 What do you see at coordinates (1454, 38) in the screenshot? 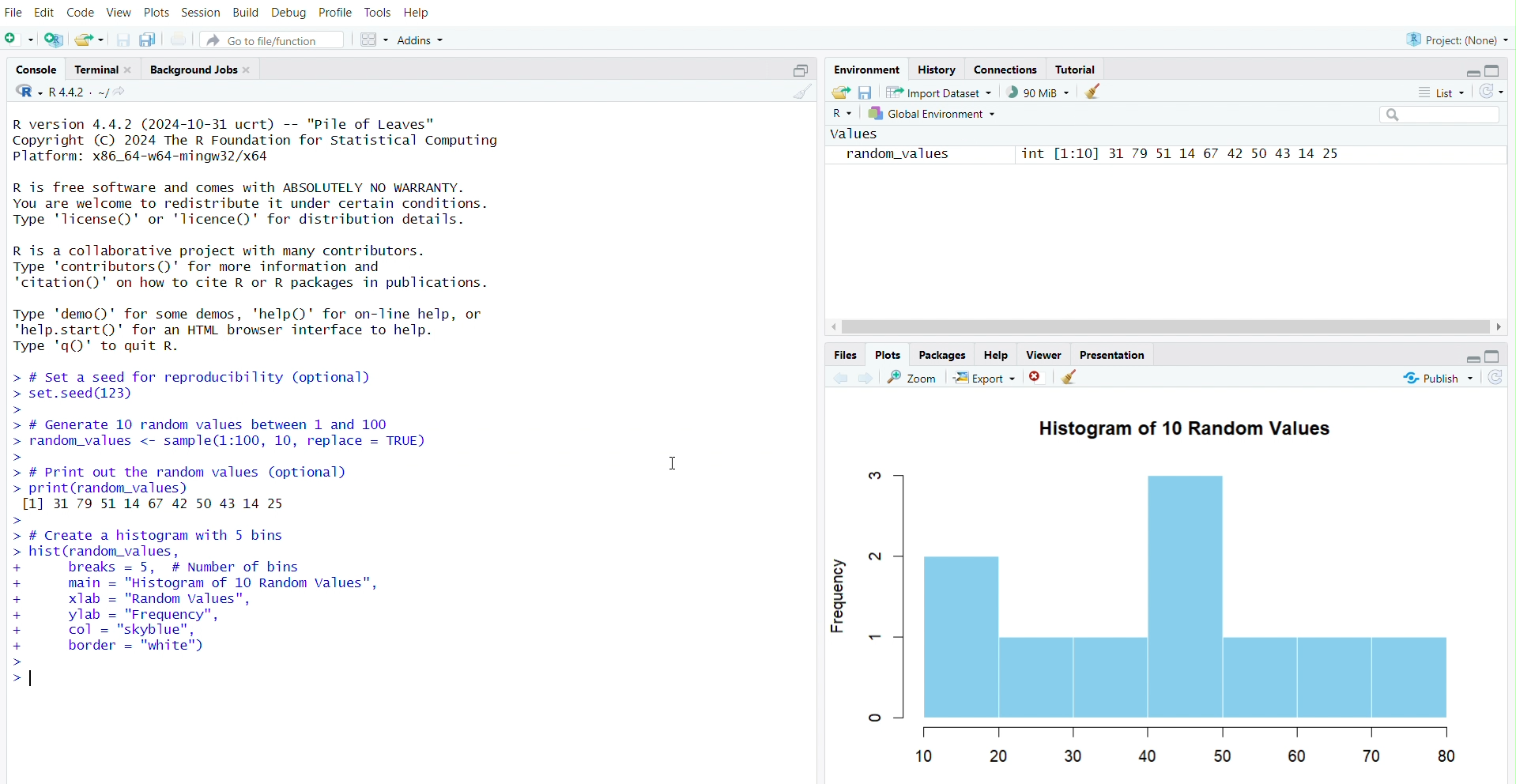
I see `project: (None)` at bounding box center [1454, 38].